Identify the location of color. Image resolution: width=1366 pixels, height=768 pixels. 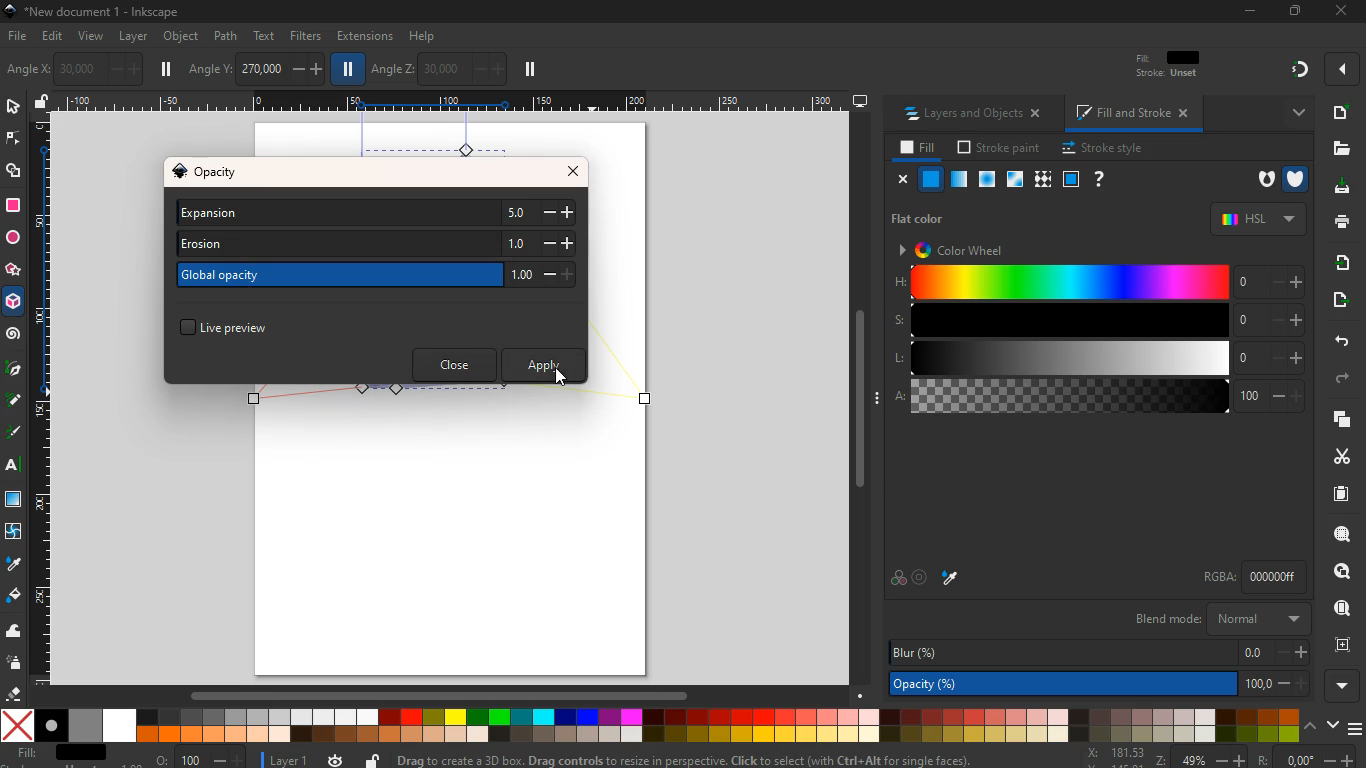
(897, 580).